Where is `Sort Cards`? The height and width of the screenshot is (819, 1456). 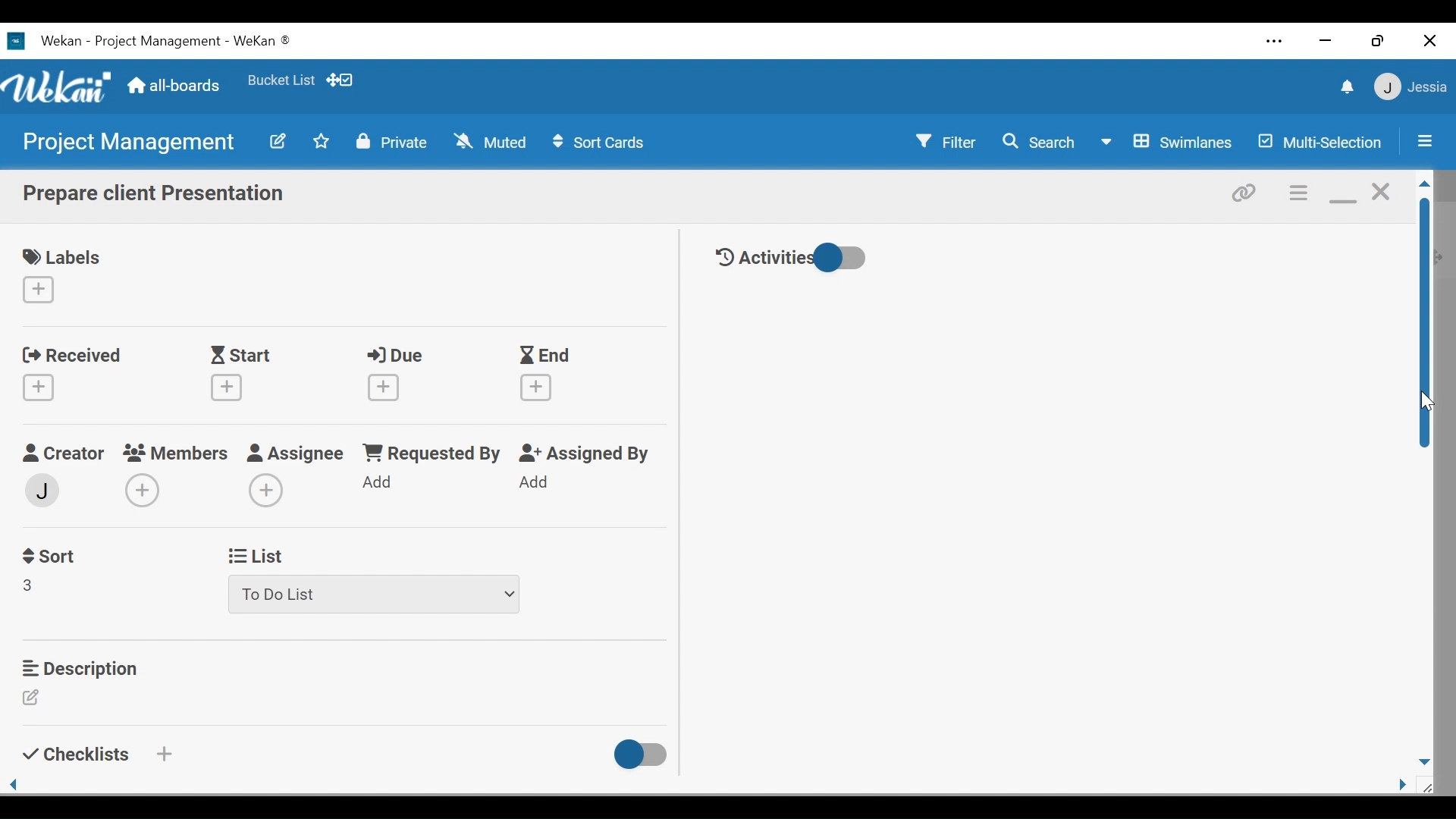 Sort Cards is located at coordinates (601, 142).